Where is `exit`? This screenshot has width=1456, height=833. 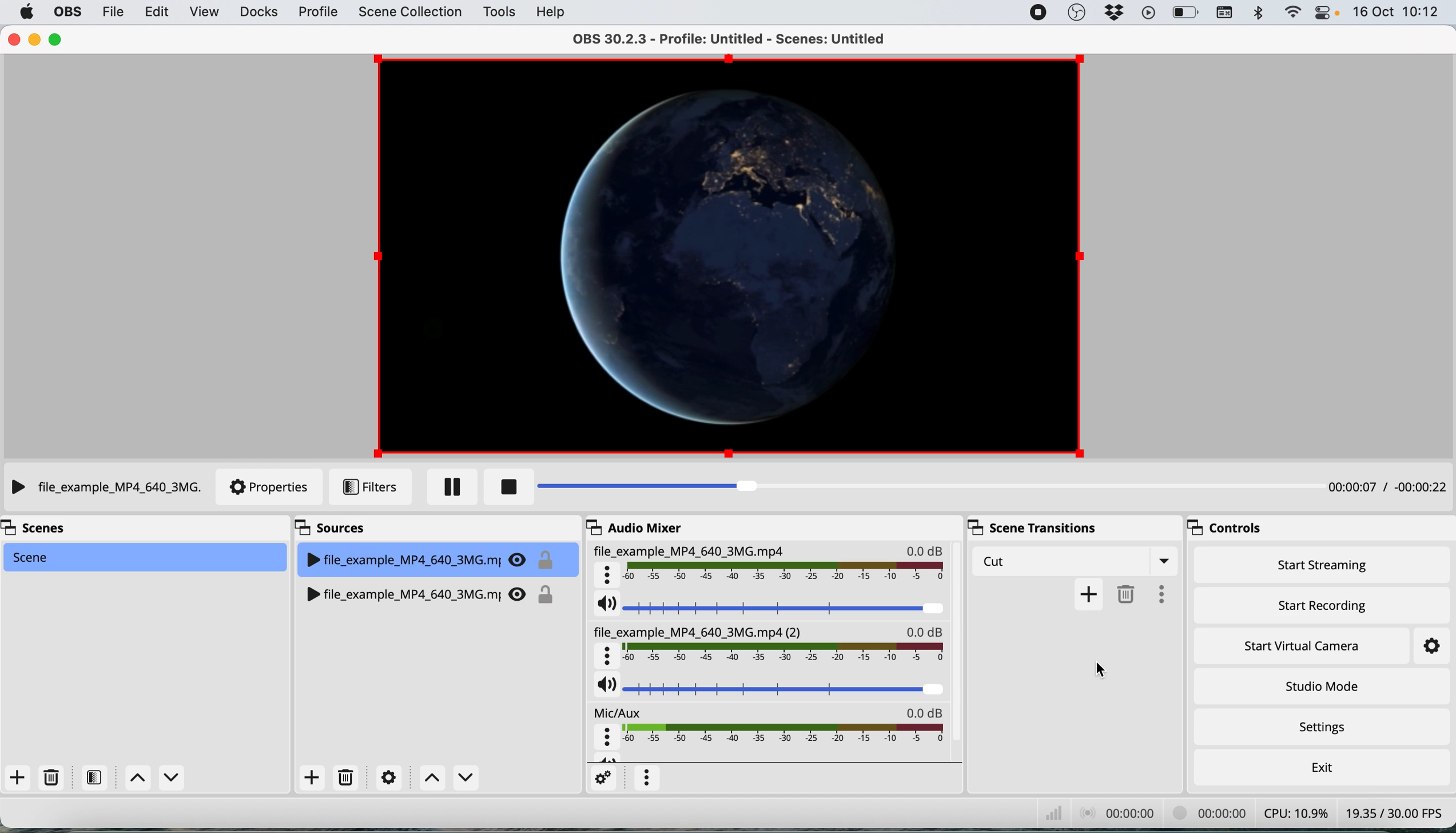 exit is located at coordinates (1323, 769).